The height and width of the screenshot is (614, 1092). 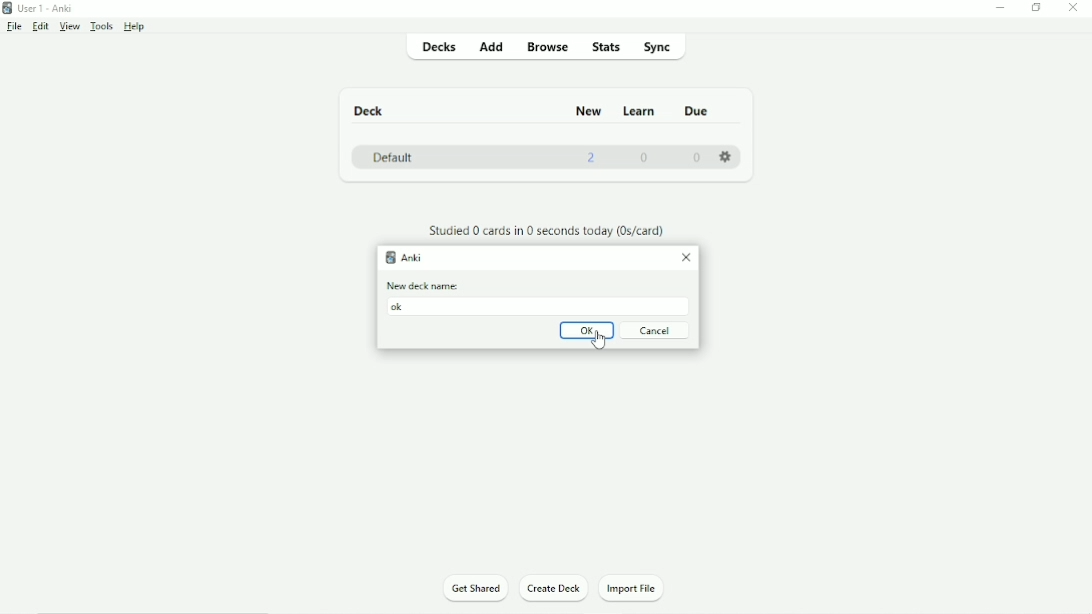 What do you see at coordinates (491, 46) in the screenshot?
I see `Add` at bounding box center [491, 46].